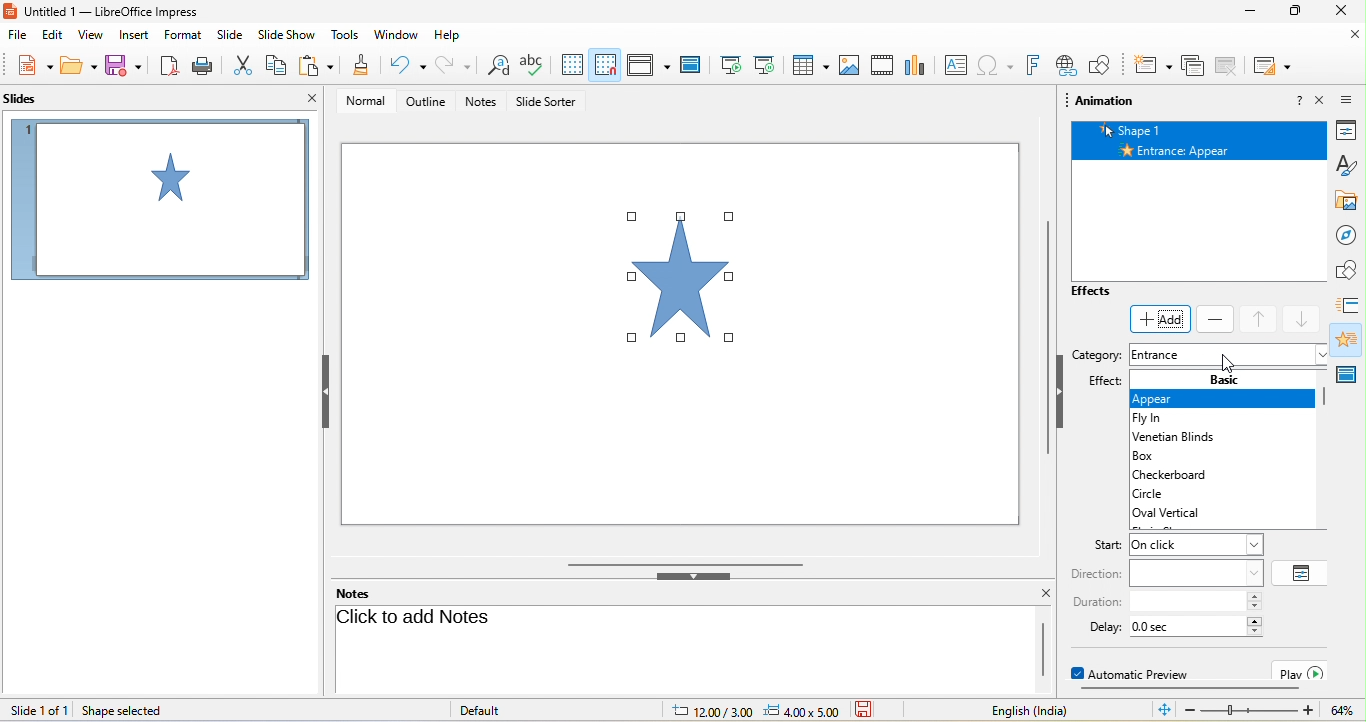 The width and height of the screenshot is (1366, 722). What do you see at coordinates (1302, 671) in the screenshot?
I see `play` at bounding box center [1302, 671].